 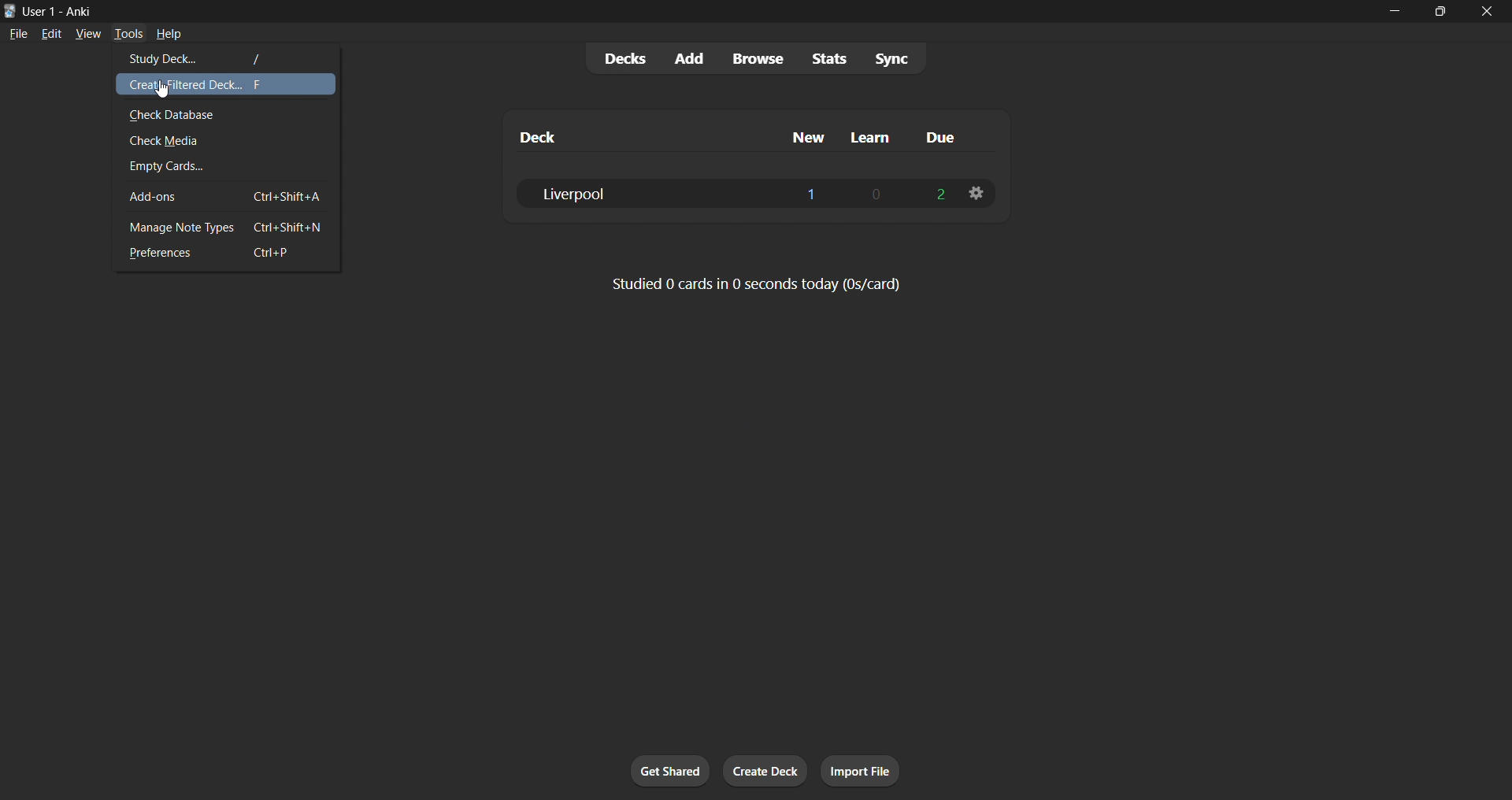 I want to click on maximize/restore, so click(x=1441, y=10).